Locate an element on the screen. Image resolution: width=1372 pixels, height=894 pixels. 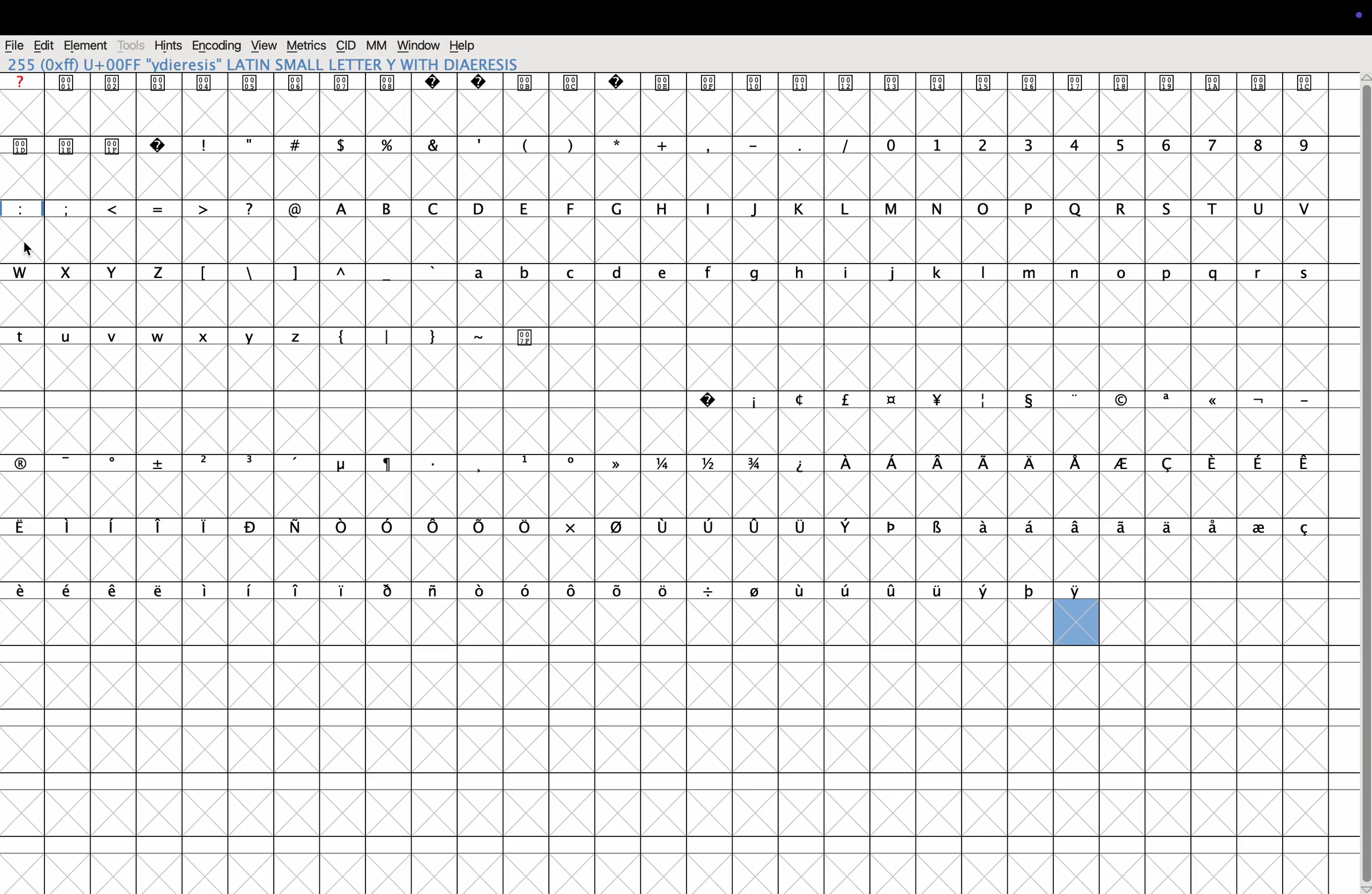
Encoding is located at coordinates (216, 44).